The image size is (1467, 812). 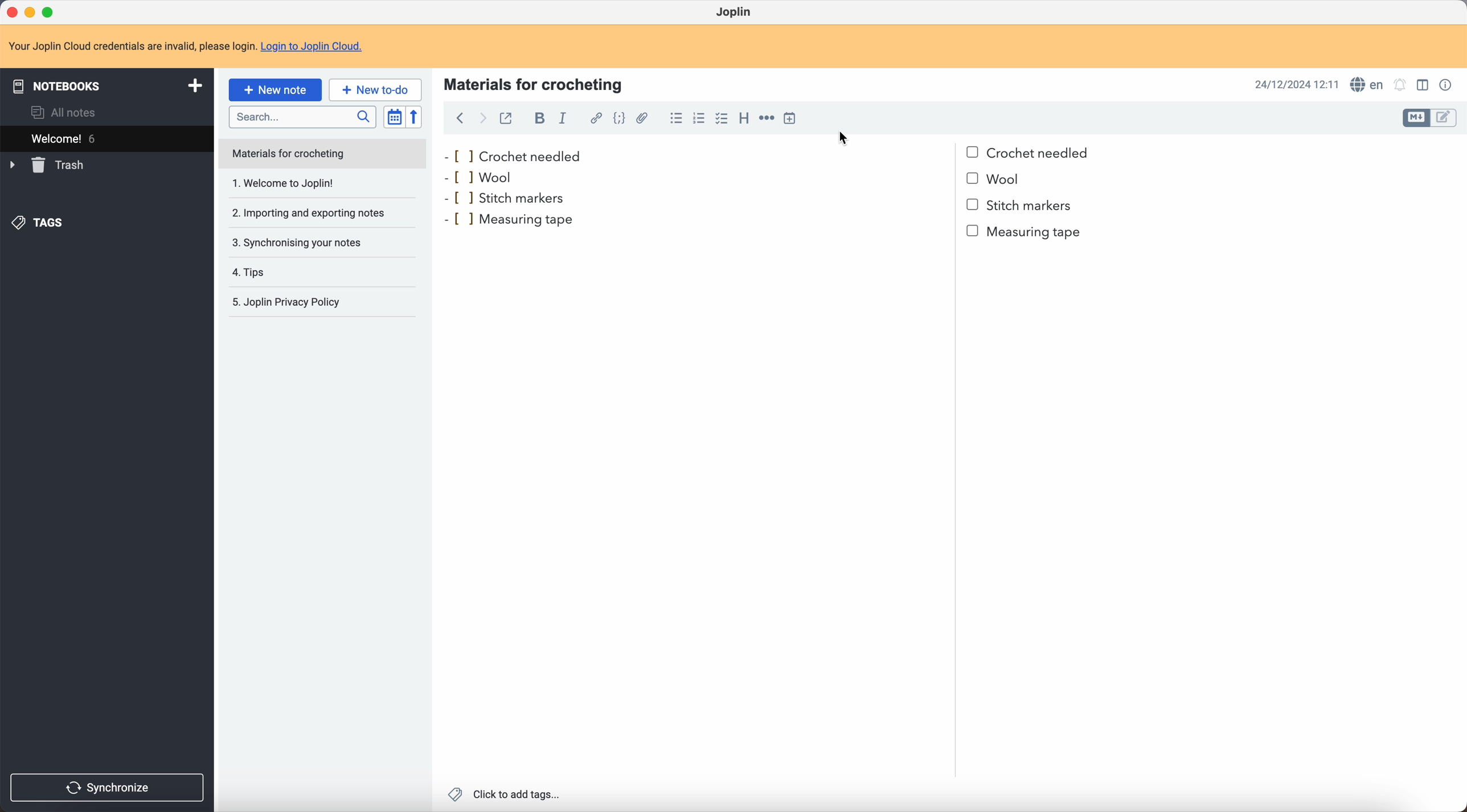 I want to click on search bar, so click(x=302, y=116).